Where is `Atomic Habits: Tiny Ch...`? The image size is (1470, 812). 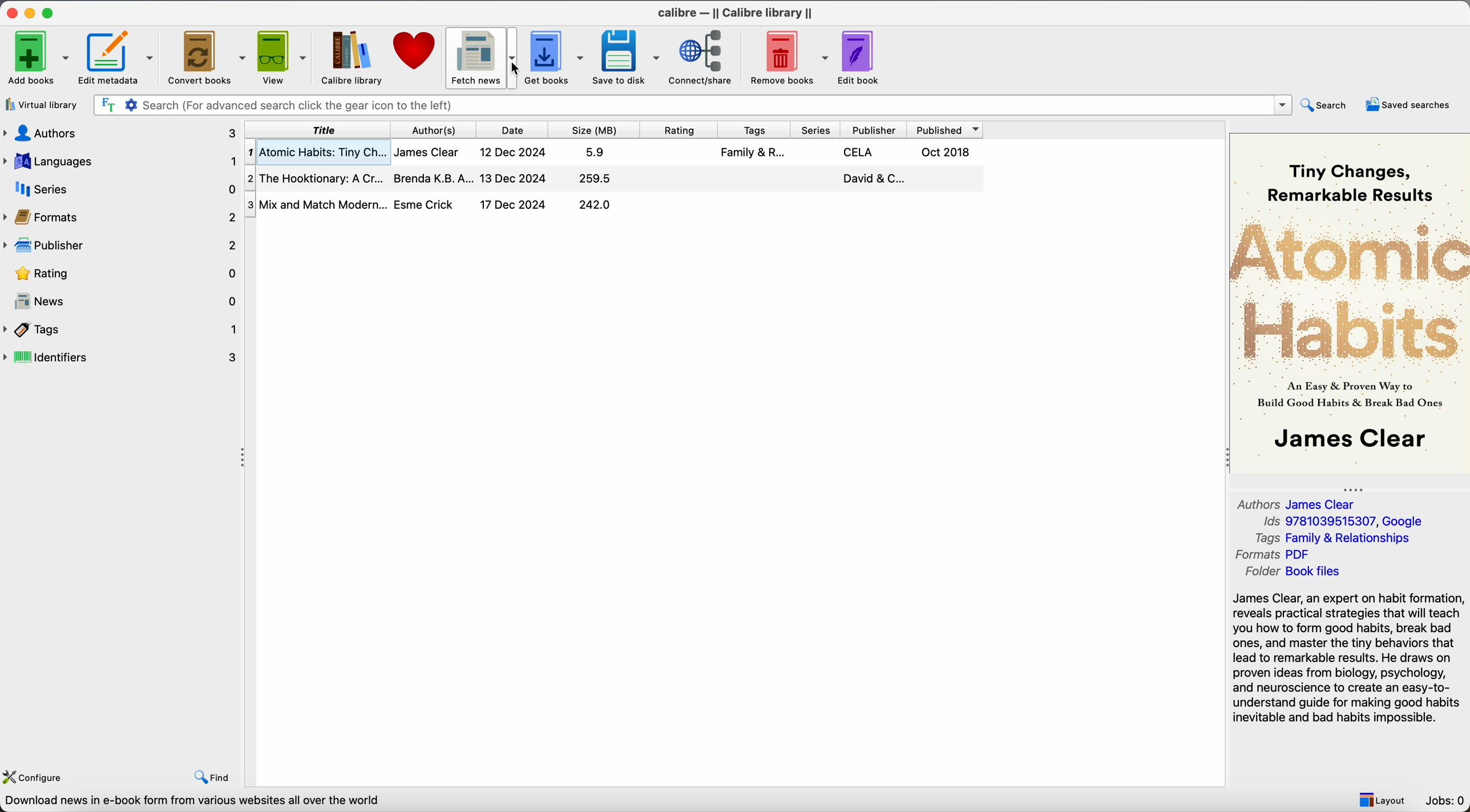
Atomic Habits: Tiny Ch... is located at coordinates (316, 153).